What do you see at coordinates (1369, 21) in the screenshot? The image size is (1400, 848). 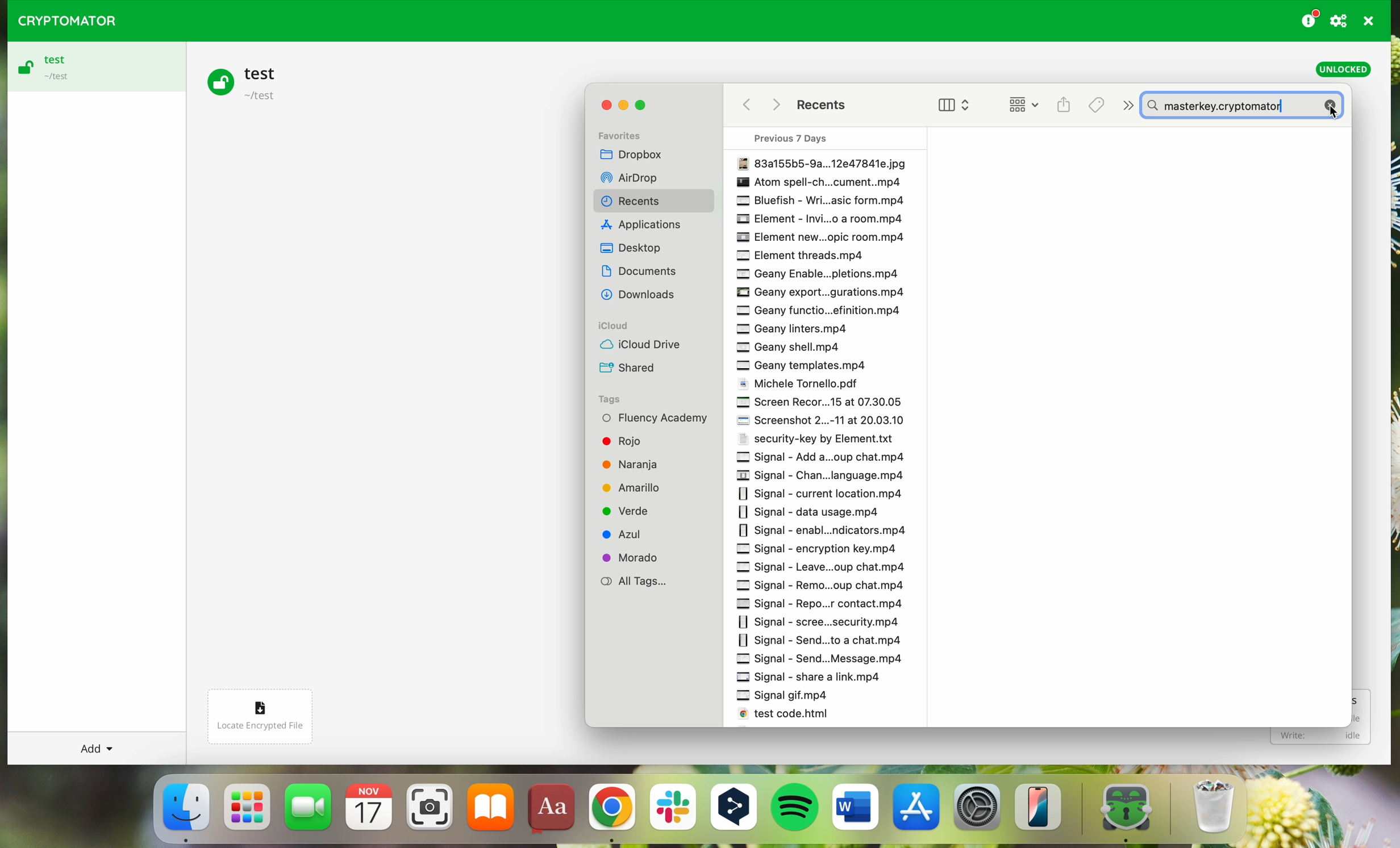 I see `quit program` at bounding box center [1369, 21].